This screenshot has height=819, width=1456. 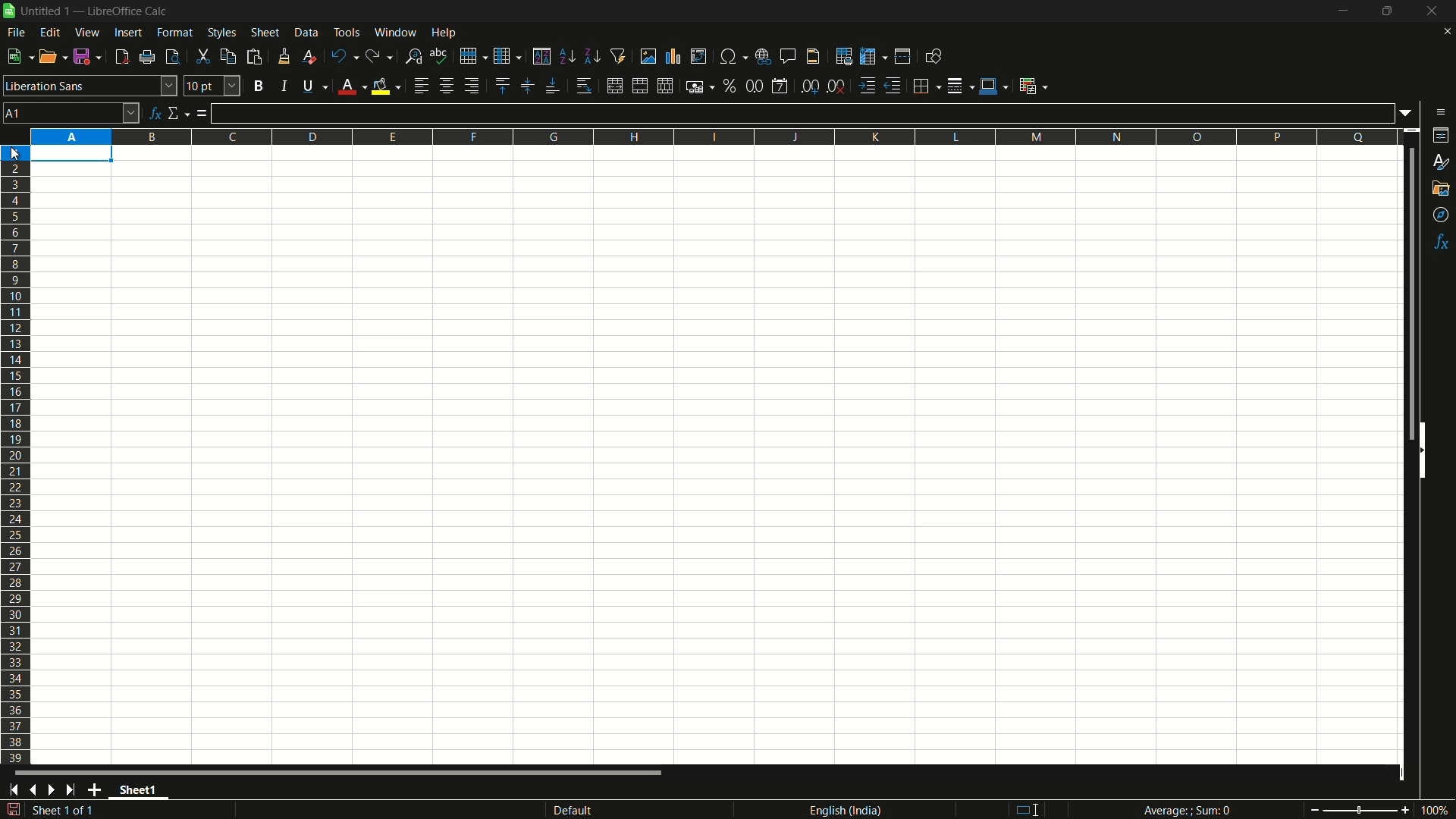 What do you see at coordinates (962, 84) in the screenshot?
I see `border style` at bounding box center [962, 84].